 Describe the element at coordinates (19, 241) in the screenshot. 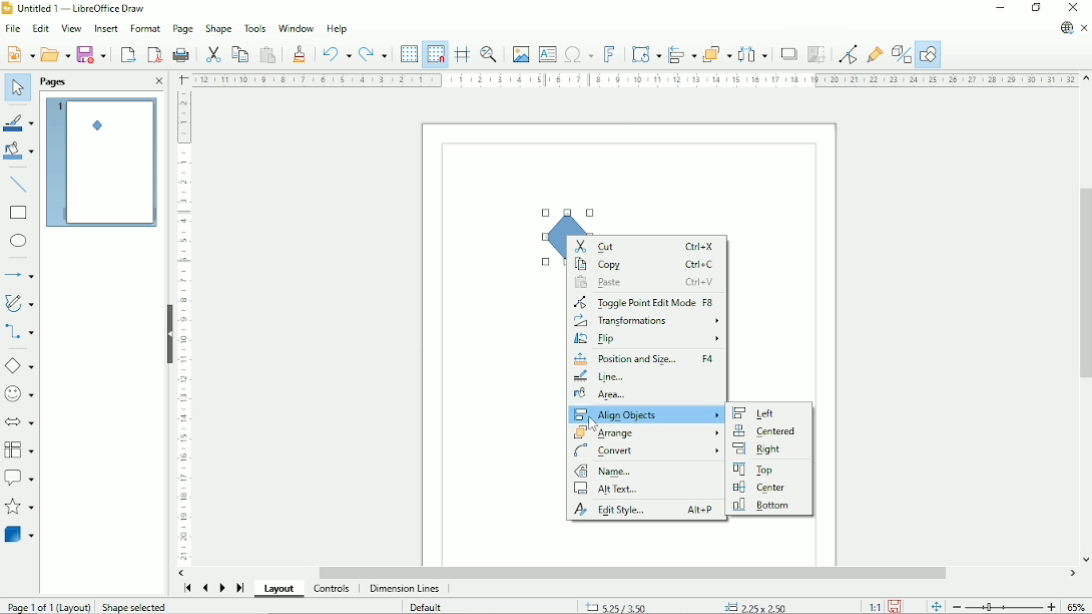

I see `Ellipse` at that location.